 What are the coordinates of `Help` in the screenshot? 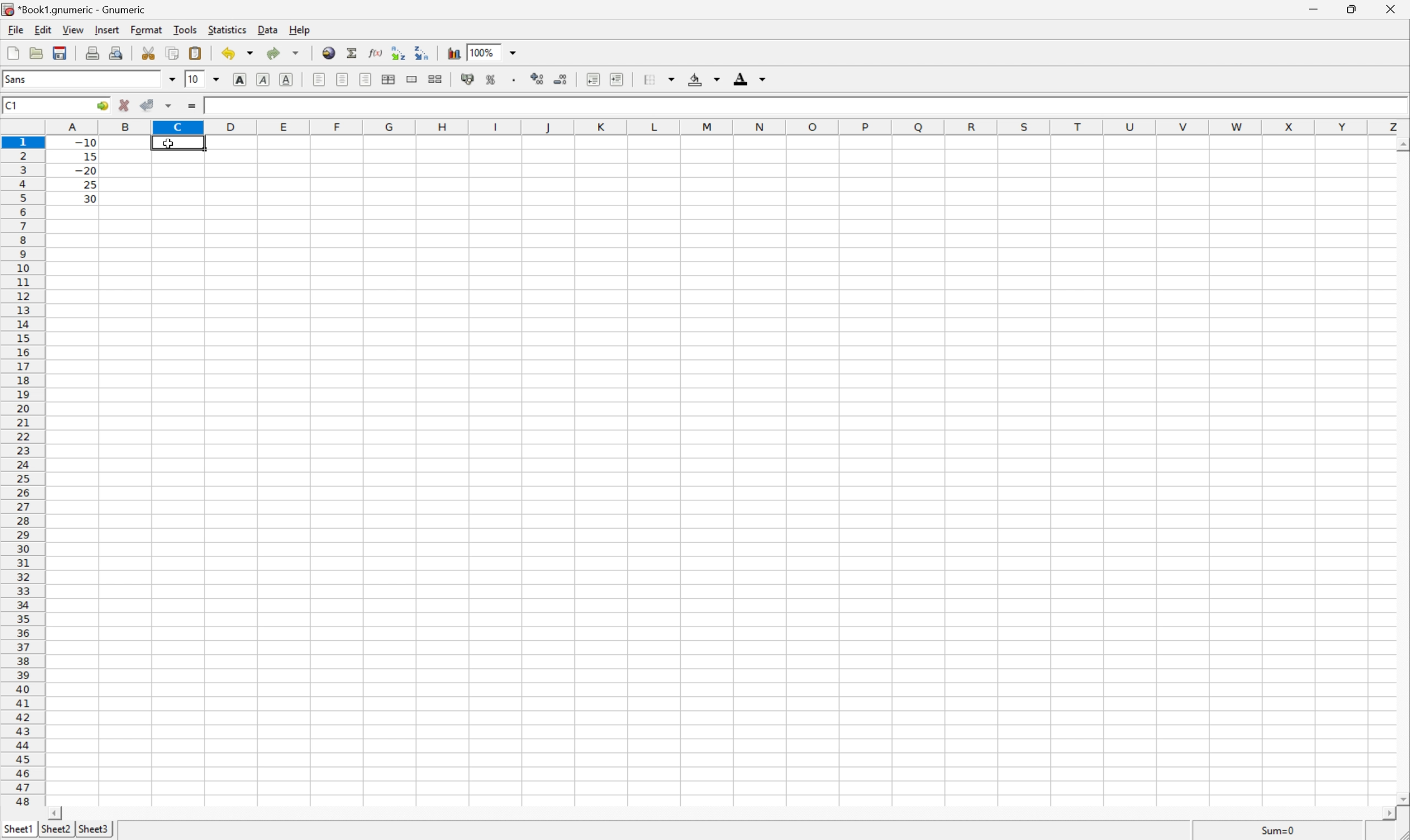 It's located at (300, 31).